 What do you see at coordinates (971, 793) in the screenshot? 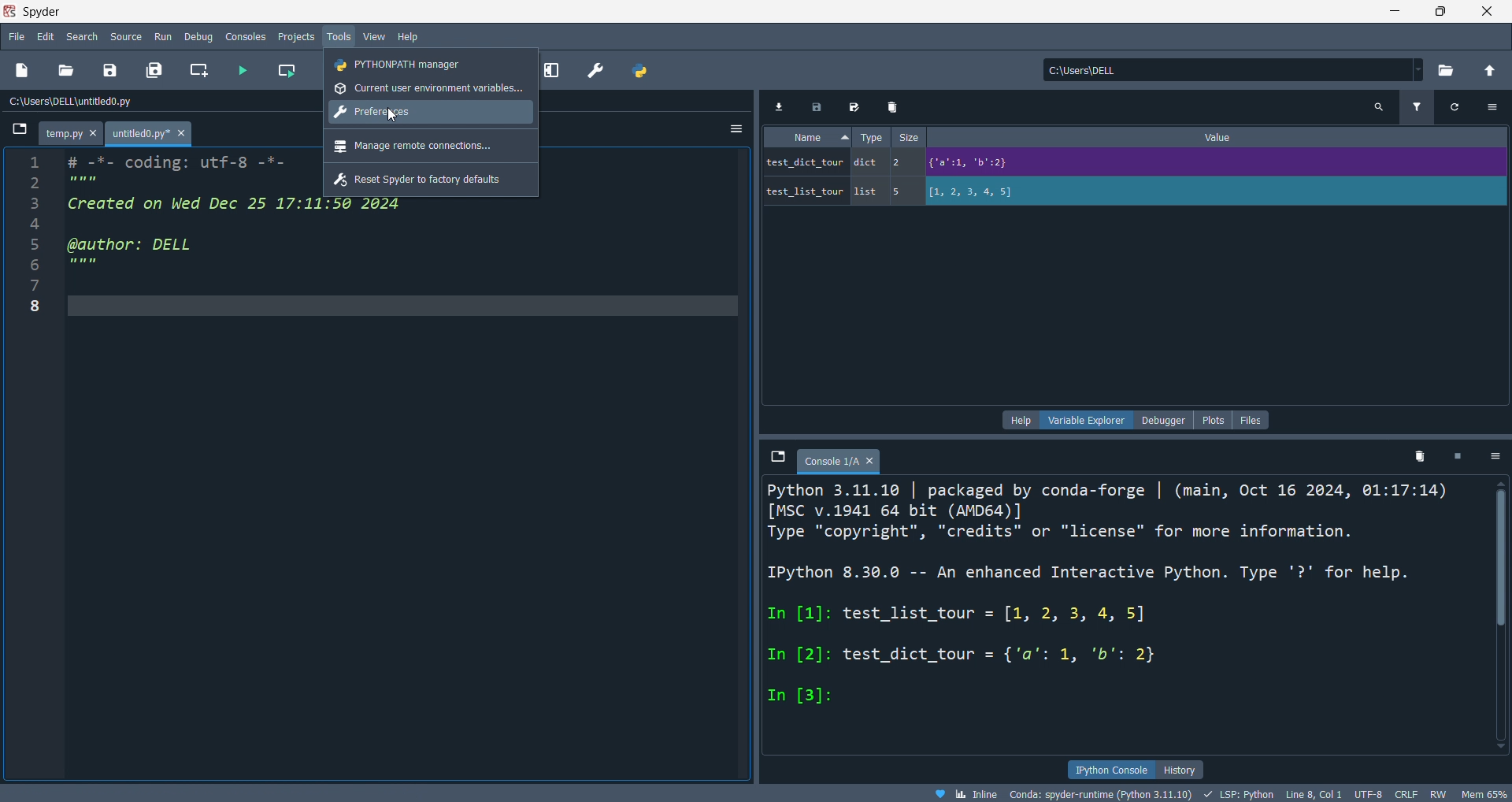
I see `Inline` at bounding box center [971, 793].